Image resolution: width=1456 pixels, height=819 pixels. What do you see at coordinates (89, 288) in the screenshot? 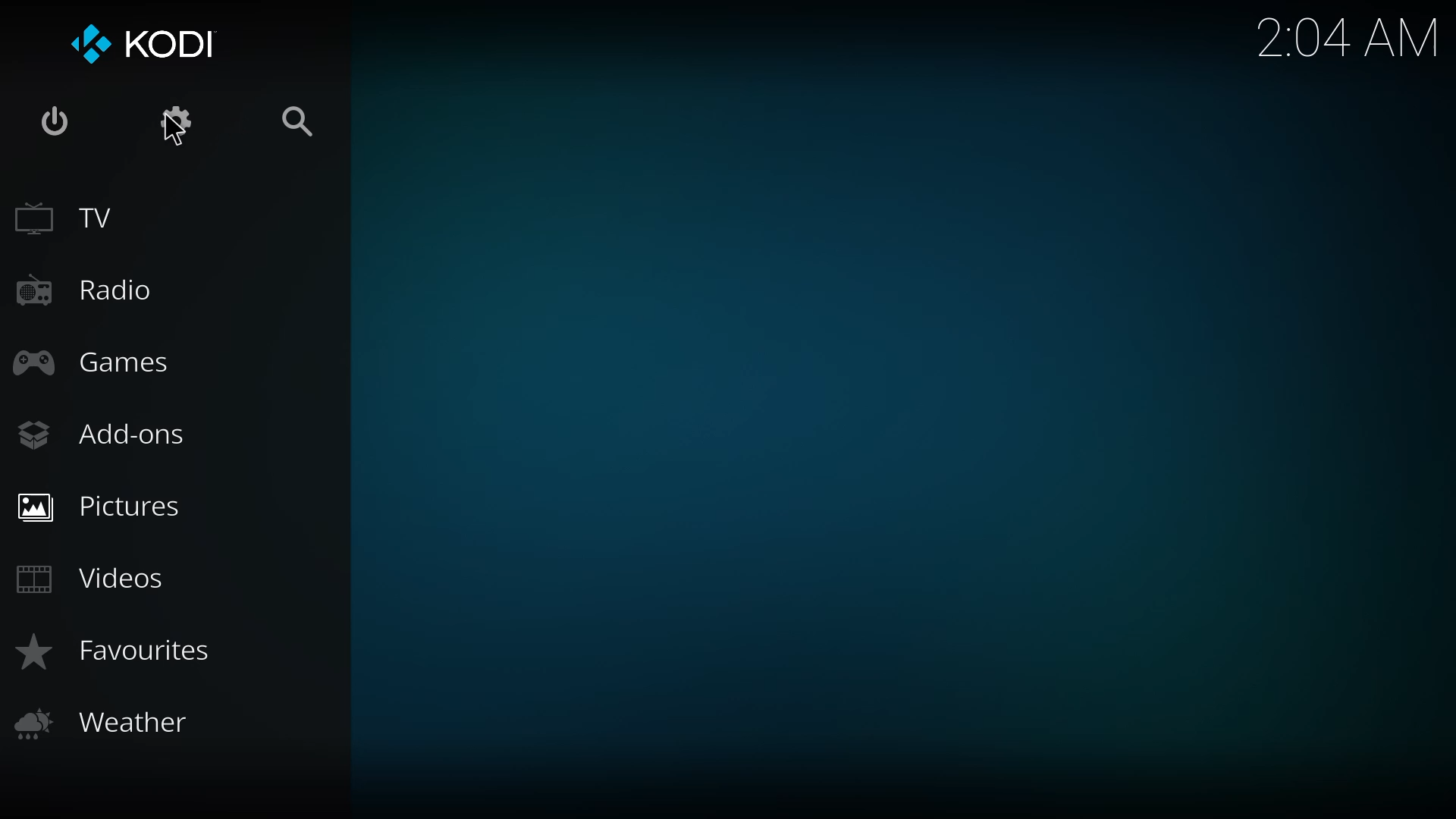
I see `radio` at bounding box center [89, 288].